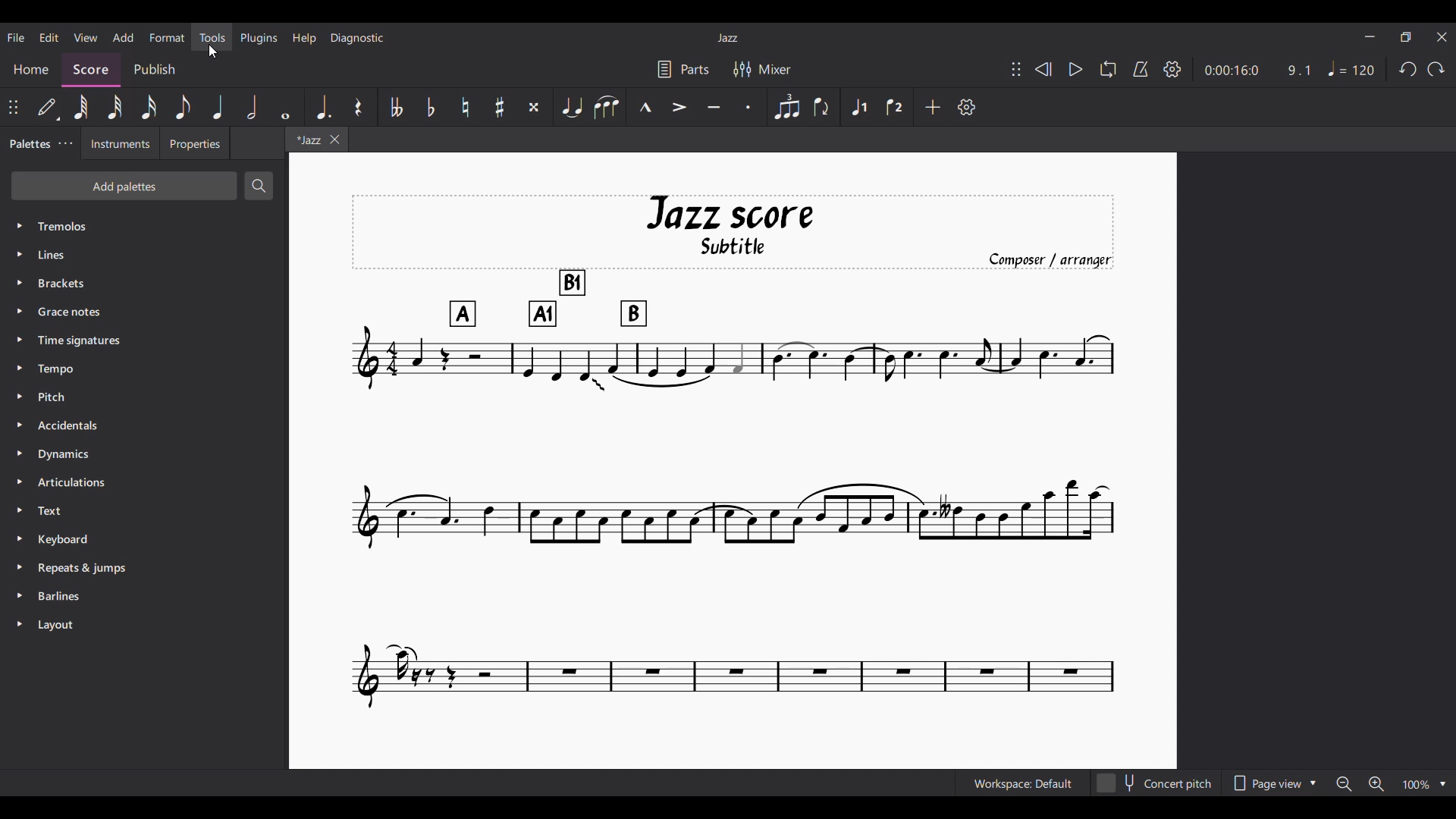 The height and width of the screenshot is (819, 1456). I want to click on Palette settings, so click(65, 143).